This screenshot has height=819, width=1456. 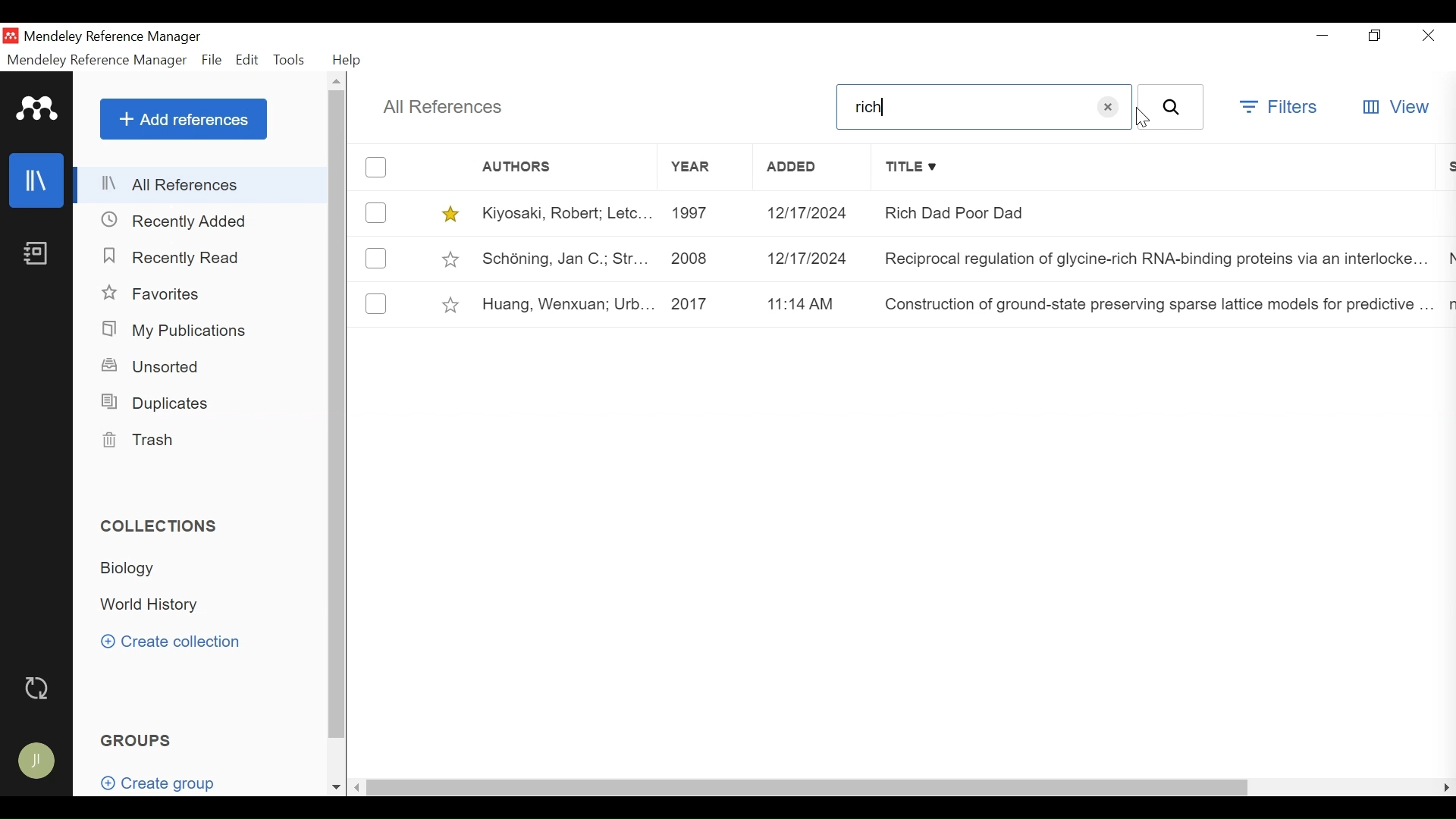 I want to click on Avatar, so click(x=40, y=762).